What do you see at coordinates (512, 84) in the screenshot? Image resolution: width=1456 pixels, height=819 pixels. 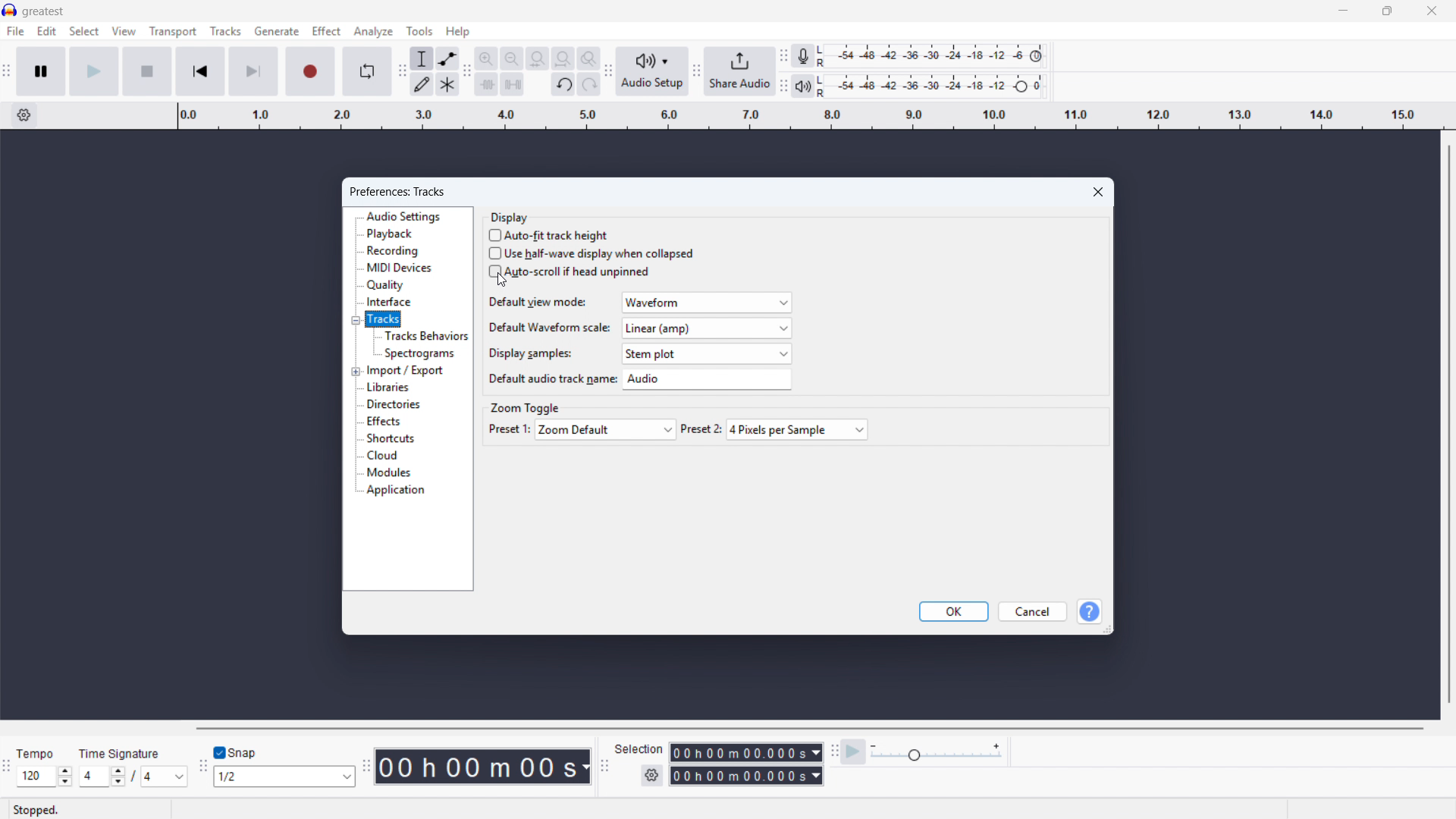 I see `Silence audio selection ` at bounding box center [512, 84].